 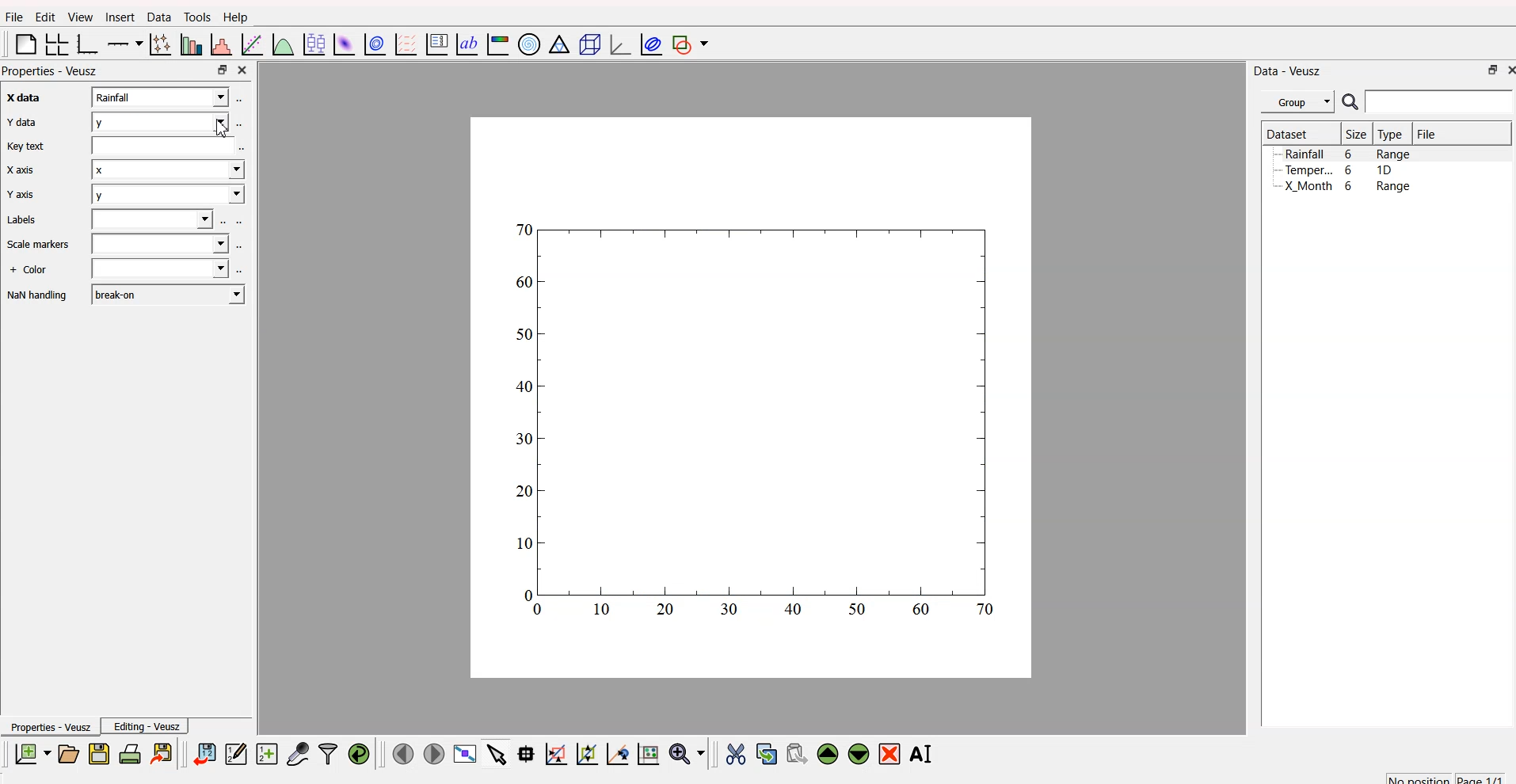 I want to click on paste the widget from the clipboard, so click(x=796, y=753).